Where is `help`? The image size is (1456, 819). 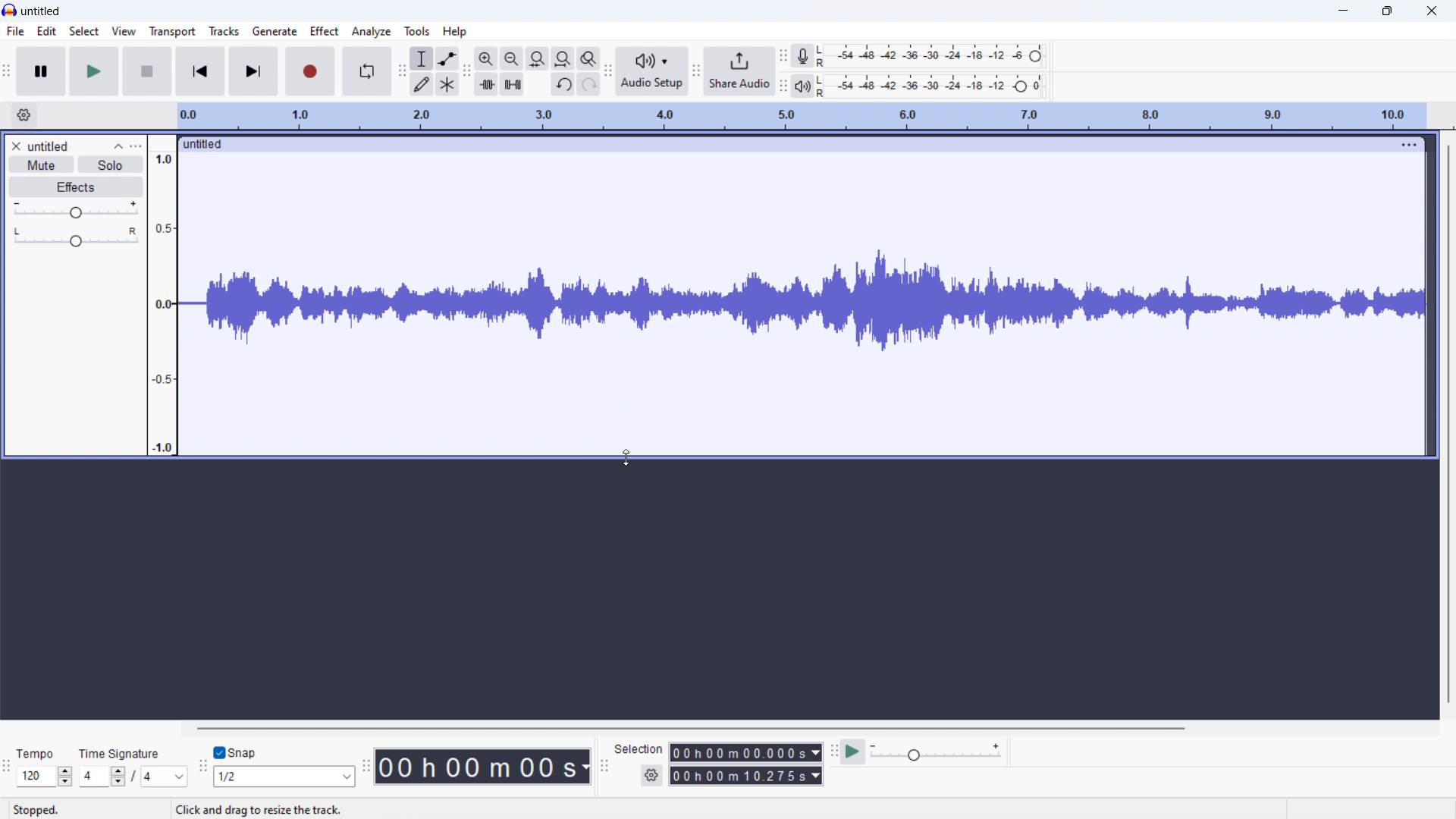
help is located at coordinates (456, 32).